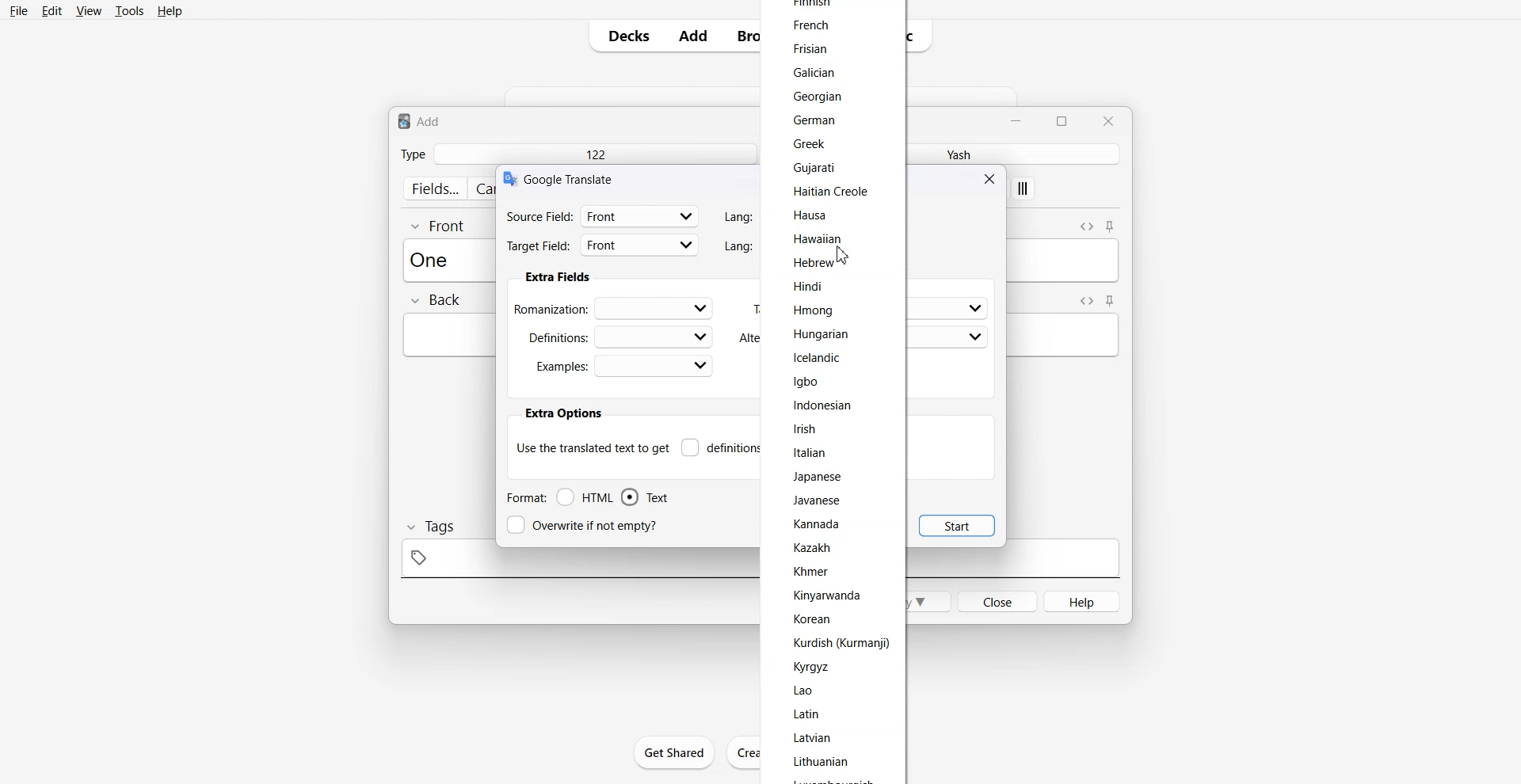 Image resolution: width=1521 pixels, height=784 pixels. What do you see at coordinates (603, 247) in the screenshot?
I see `Target Field` at bounding box center [603, 247].